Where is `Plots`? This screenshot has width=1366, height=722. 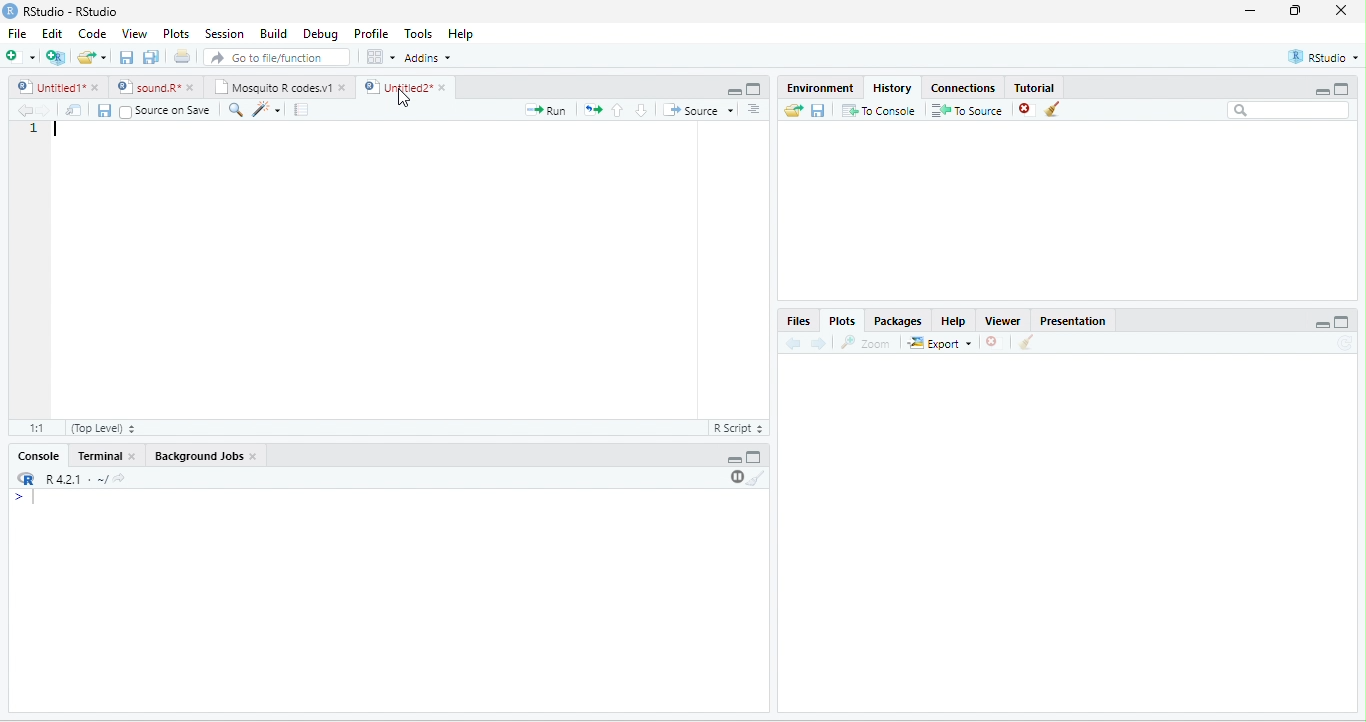
Plots is located at coordinates (843, 322).